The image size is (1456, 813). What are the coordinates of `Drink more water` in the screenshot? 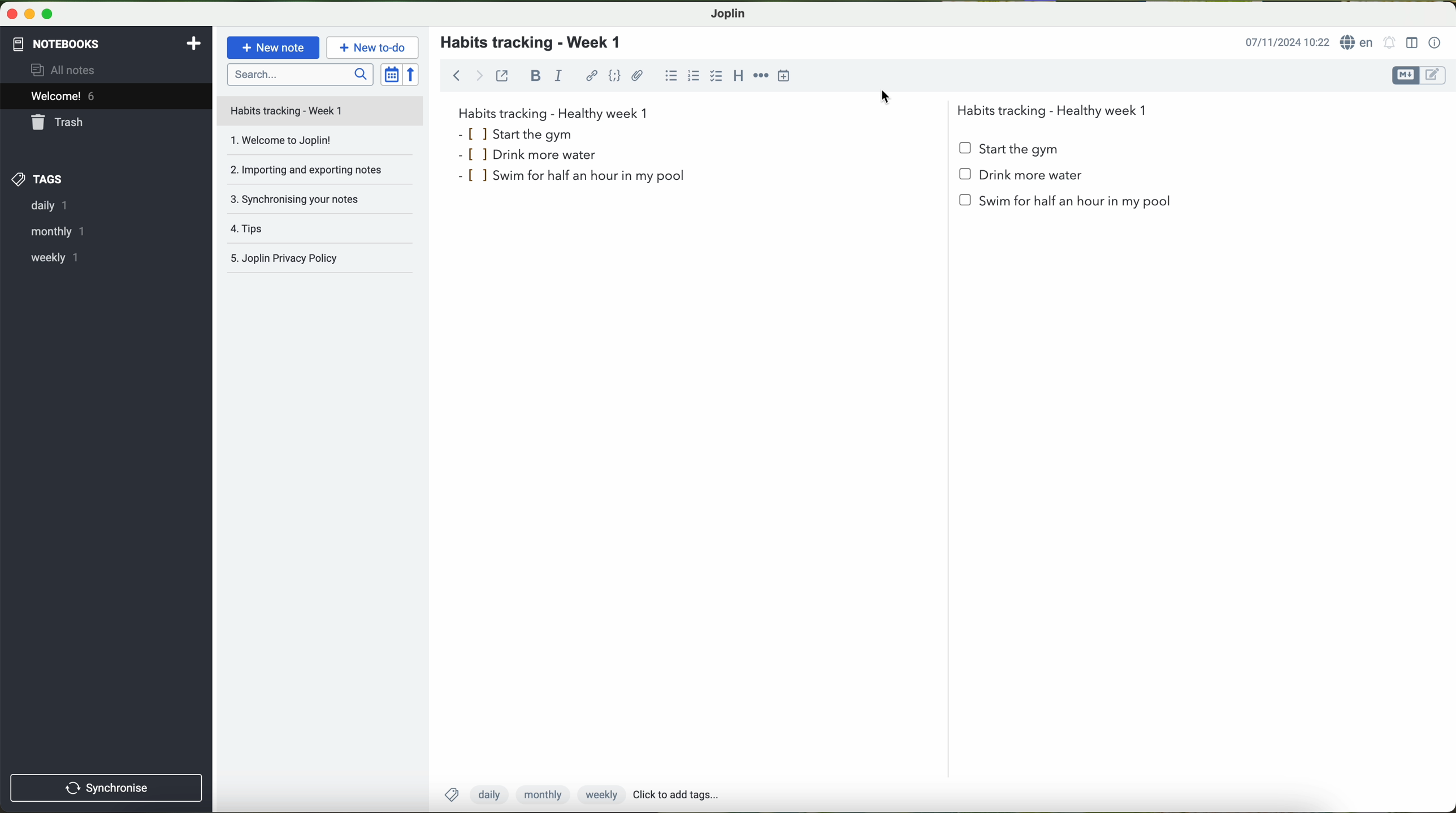 It's located at (1021, 179).